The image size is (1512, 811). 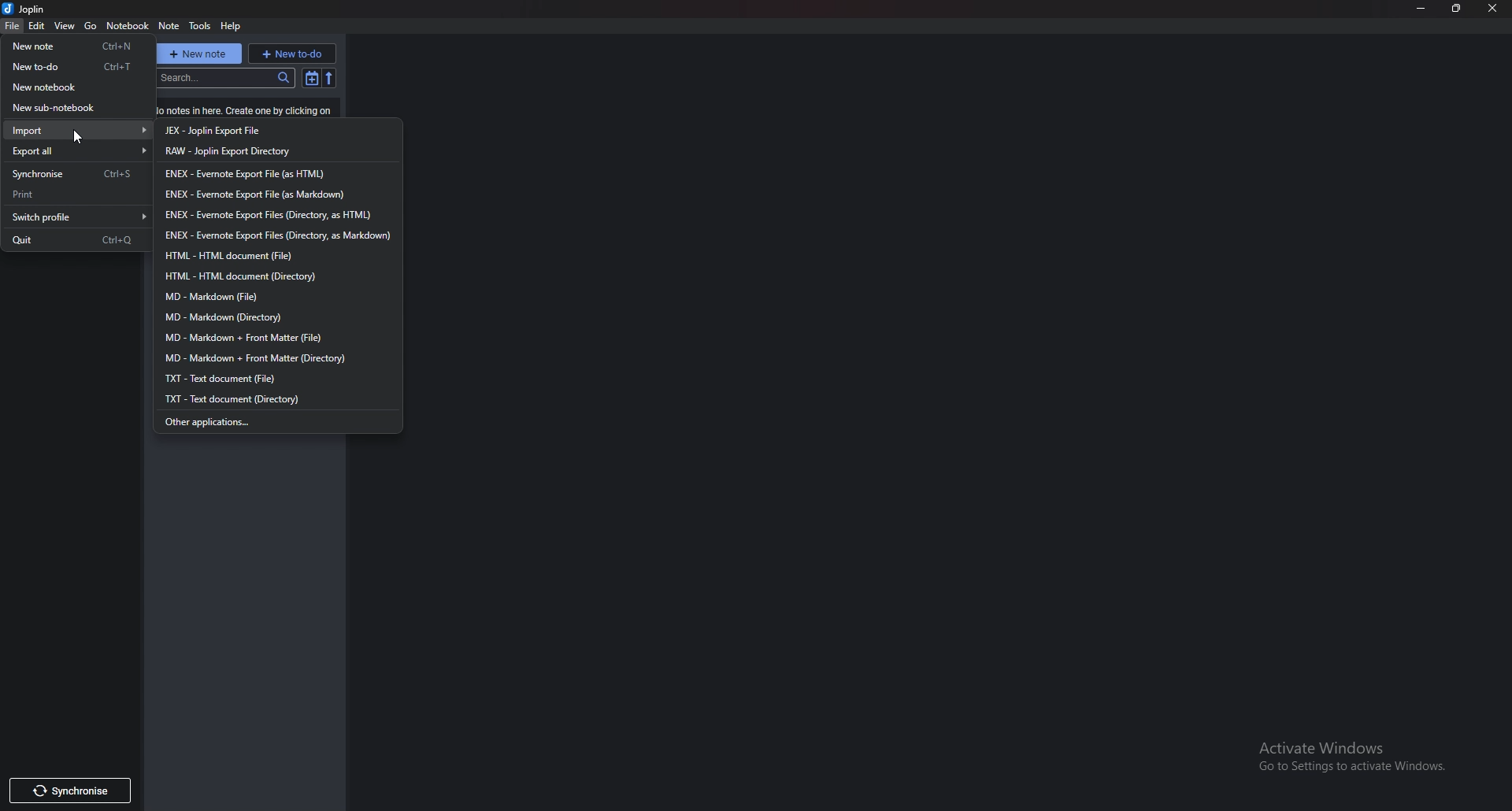 I want to click on cursor, so click(x=1497, y=10).